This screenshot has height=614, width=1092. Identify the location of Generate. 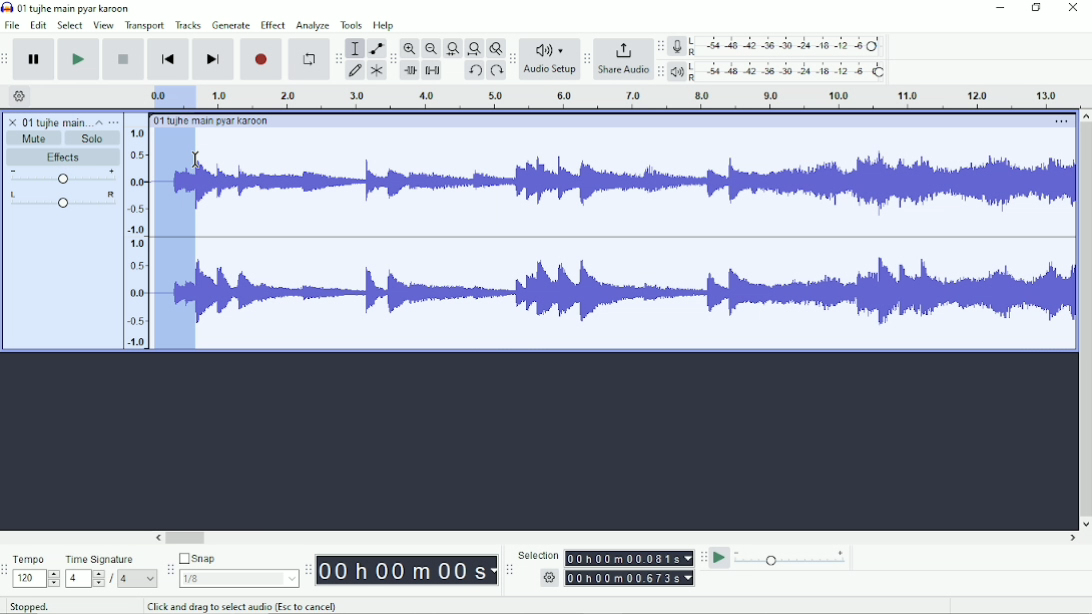
(231, 25).